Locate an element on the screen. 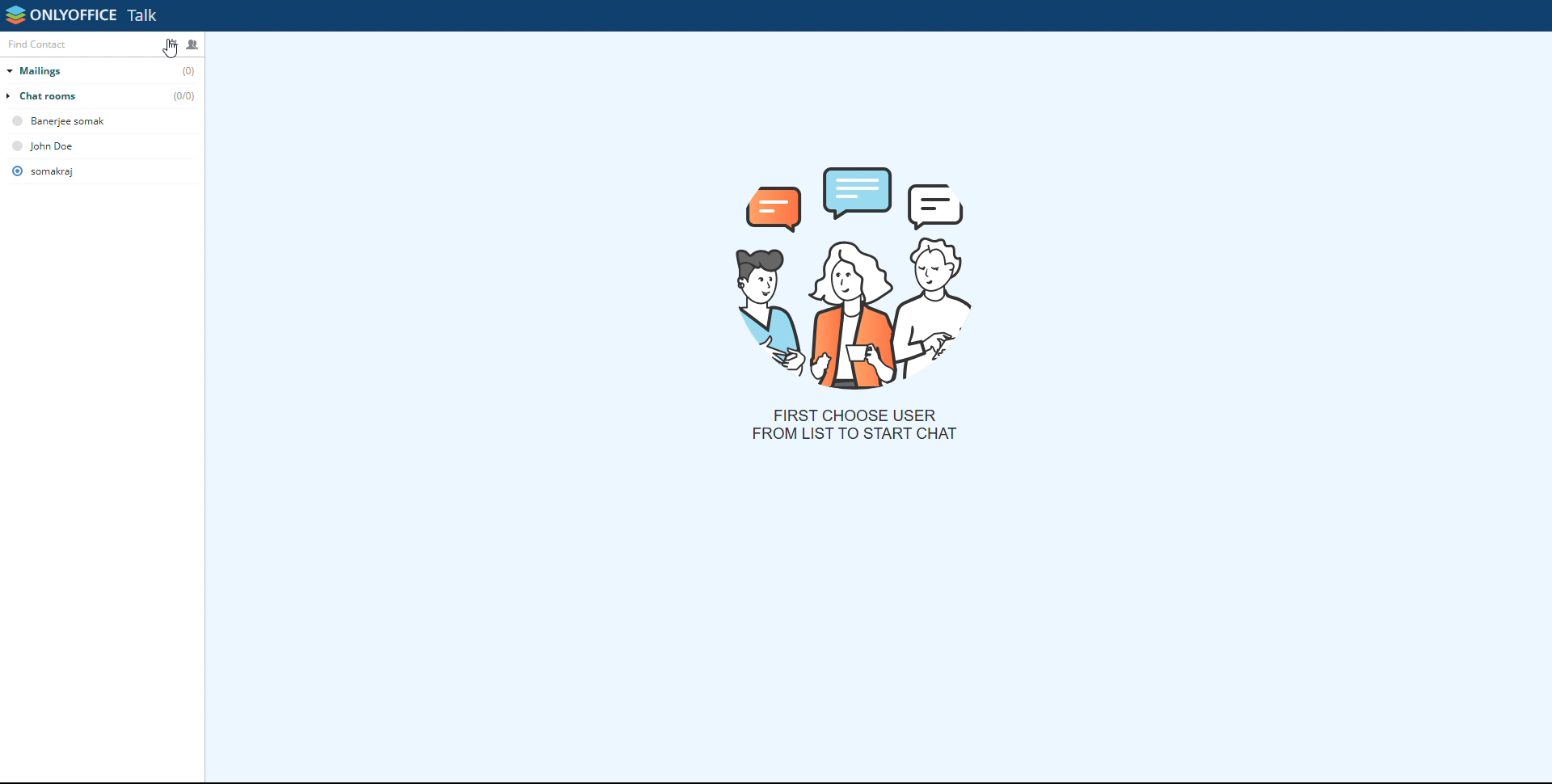  john dow is located at coordinates (54, 145).